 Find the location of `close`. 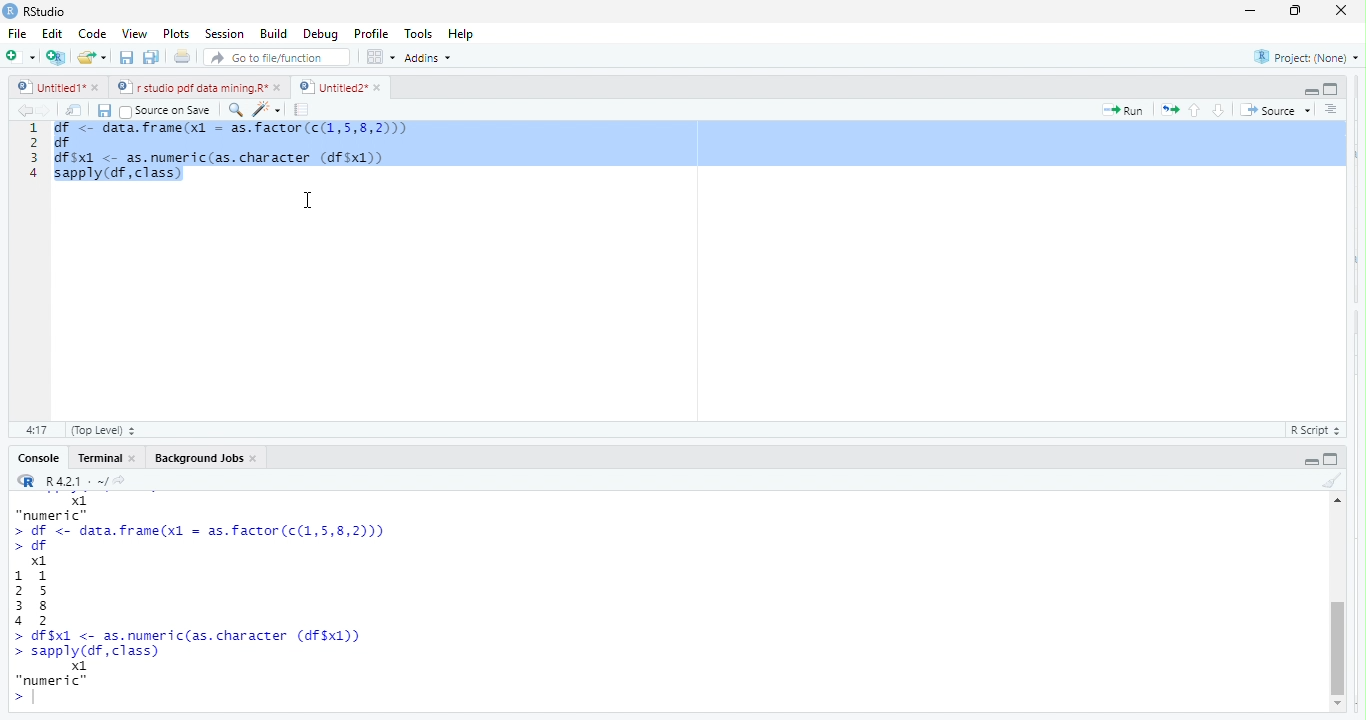

close is located at coordinates (381, 86).